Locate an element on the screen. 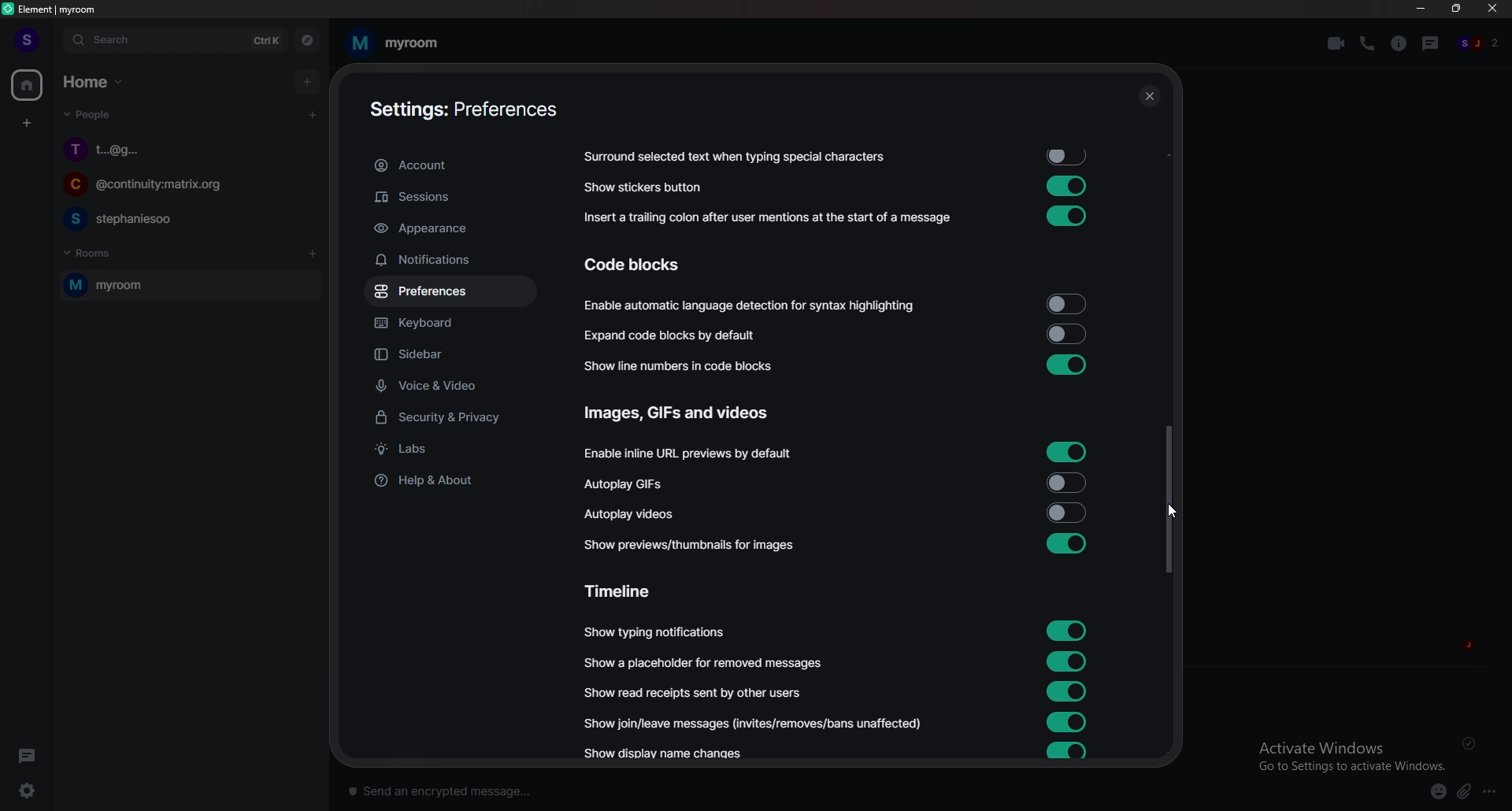 This screenshot has height=811, width=1512. enable inline url previews by default is located at coordinates (691, 454).